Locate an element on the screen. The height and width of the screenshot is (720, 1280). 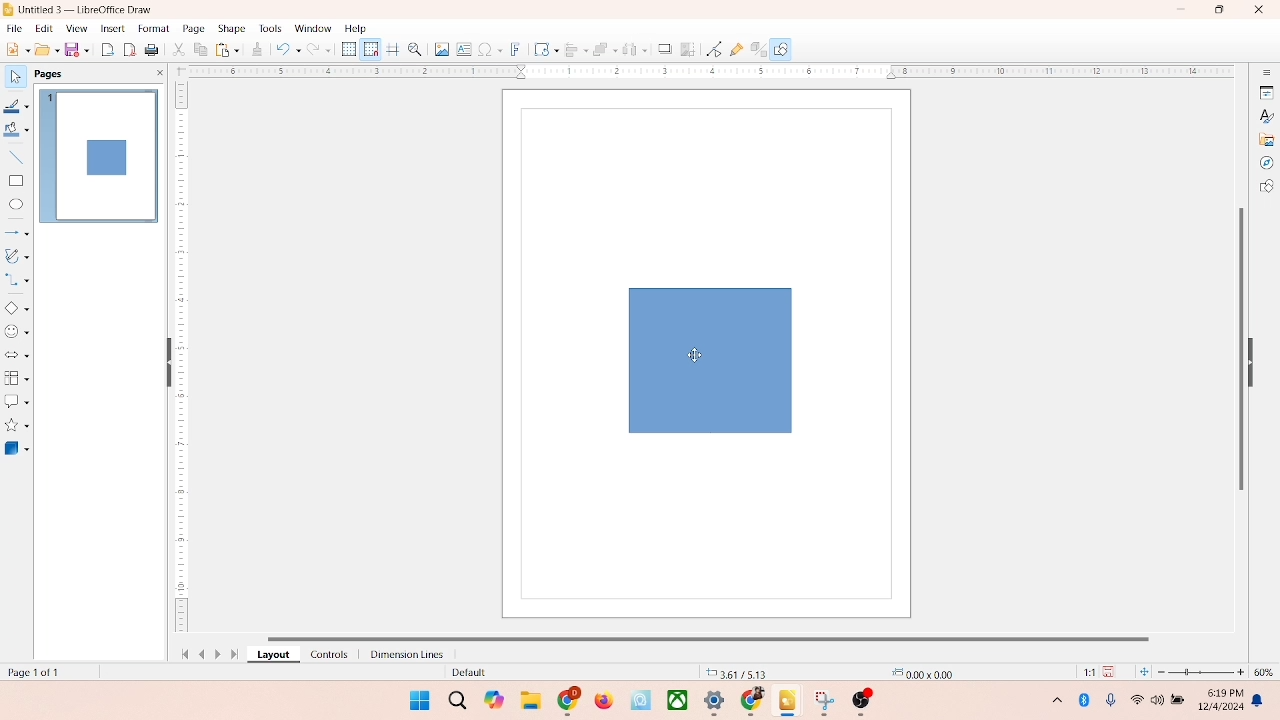
help is located at coordinates (356, 28).